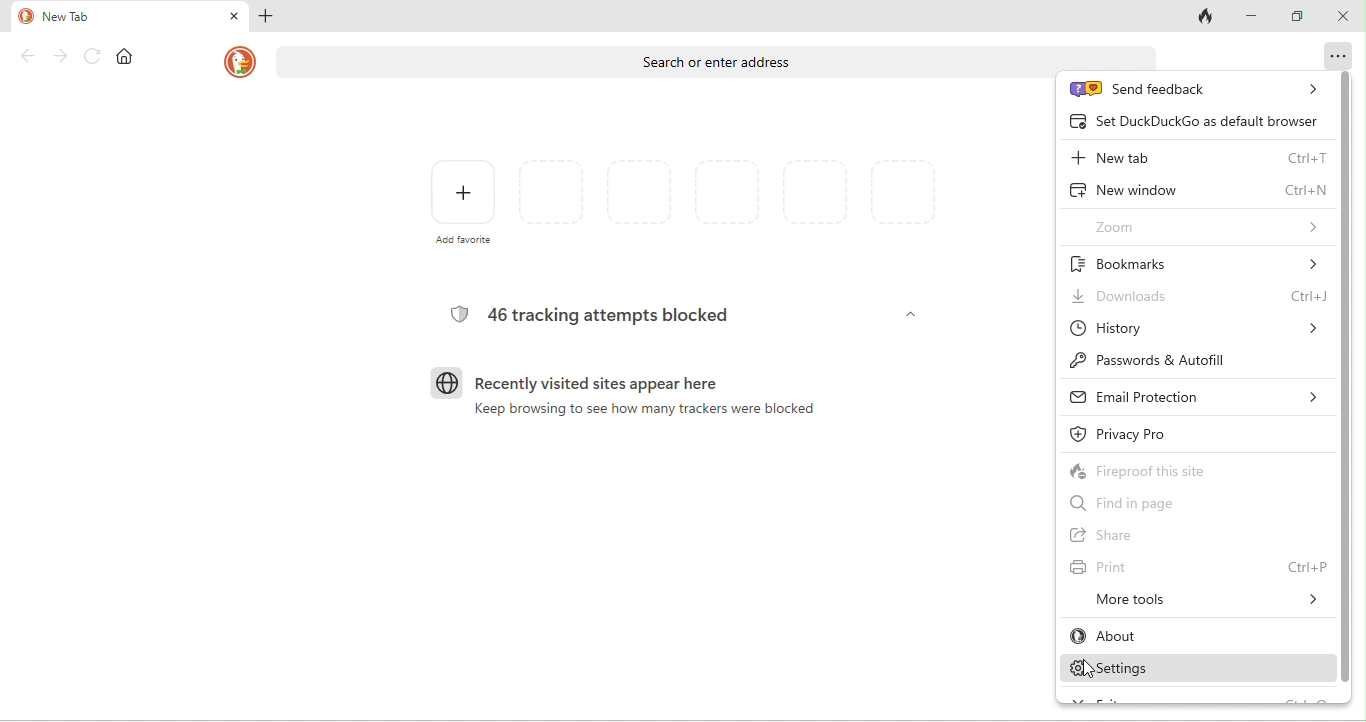 The width and height of the screenshot is (1366, 722). Describe the element at coordinates (1345, 20) in the screenshot. I see `close` at that location.